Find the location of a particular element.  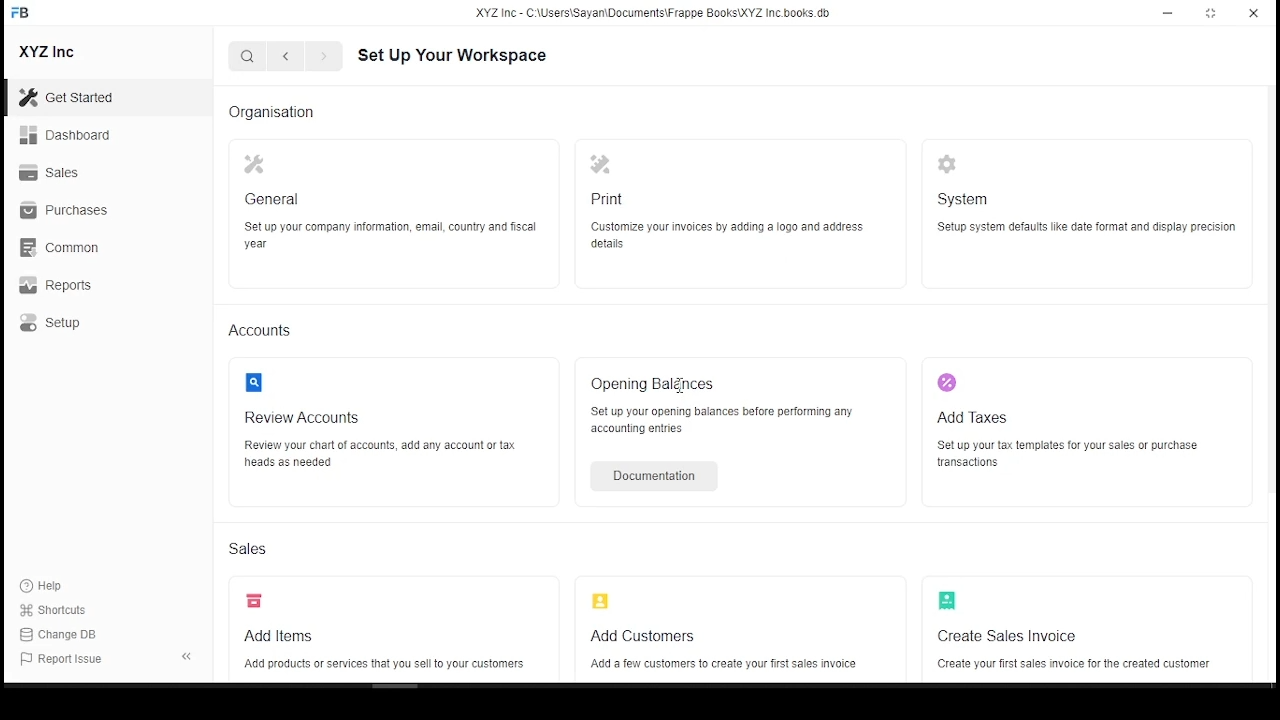

add items is located at coordinates (271, 636).